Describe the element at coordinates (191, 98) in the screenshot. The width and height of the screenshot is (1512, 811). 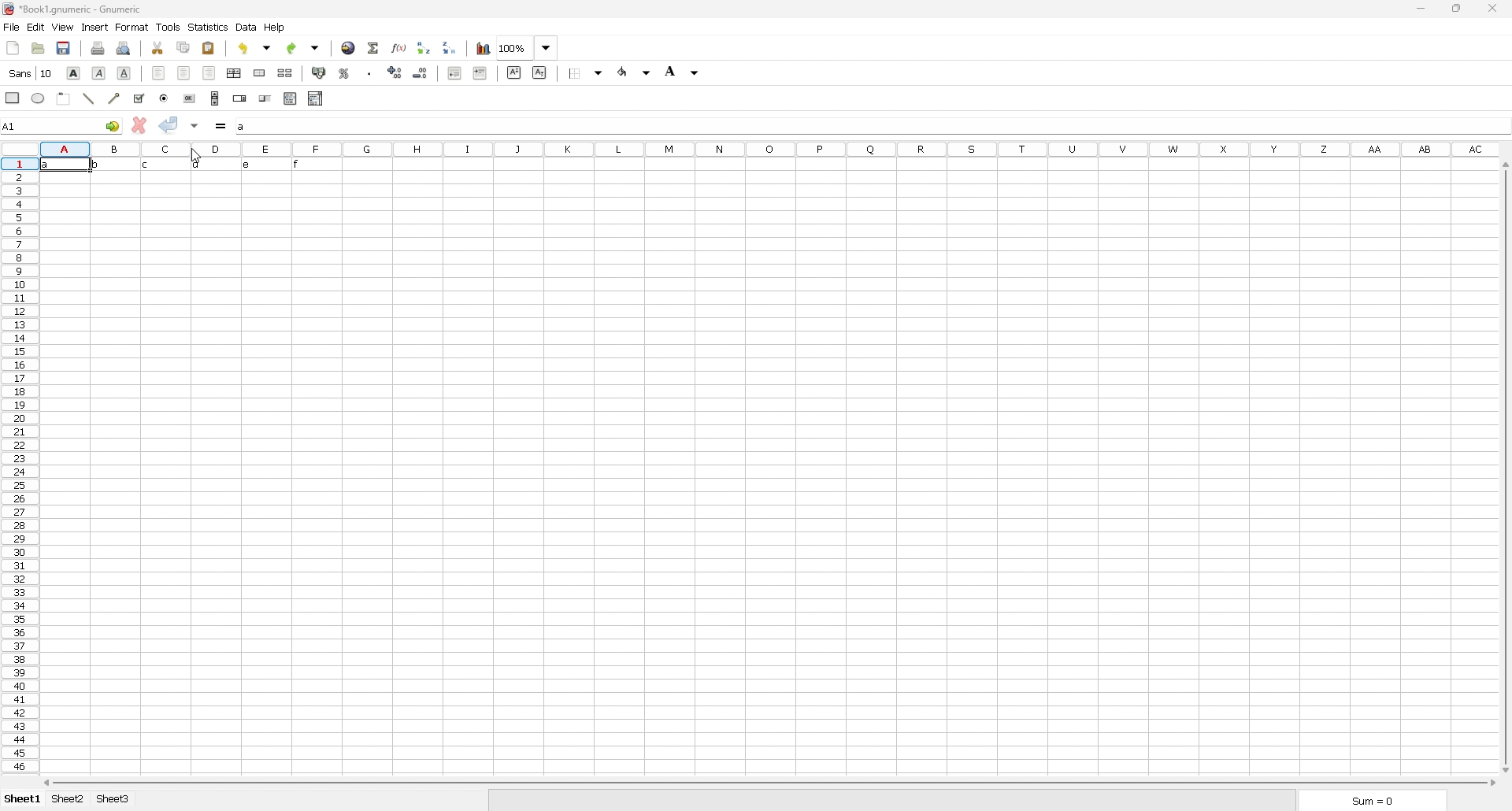
I see `button` at that location.